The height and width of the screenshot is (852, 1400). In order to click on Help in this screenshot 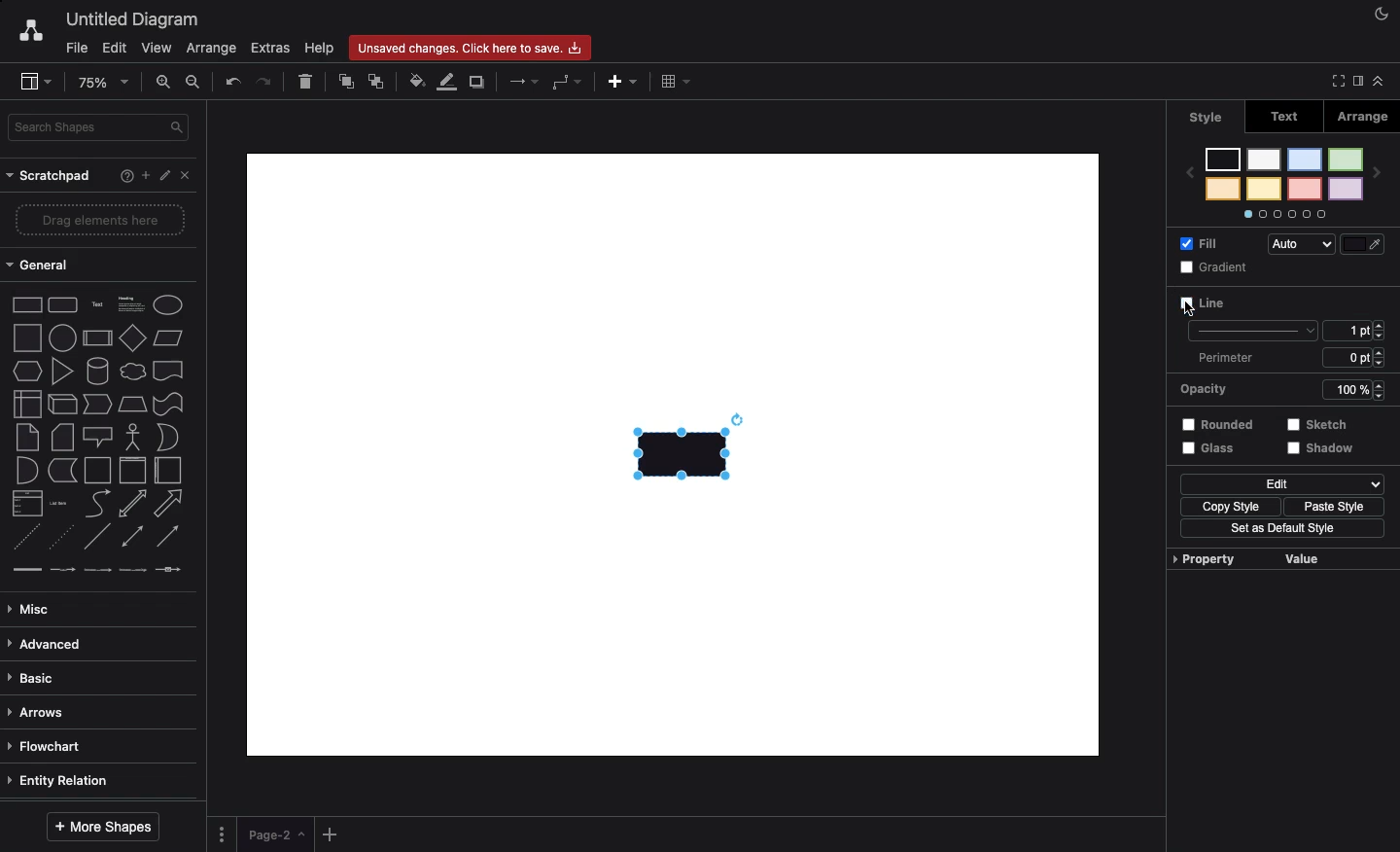, I will do `click(322, 49)`.